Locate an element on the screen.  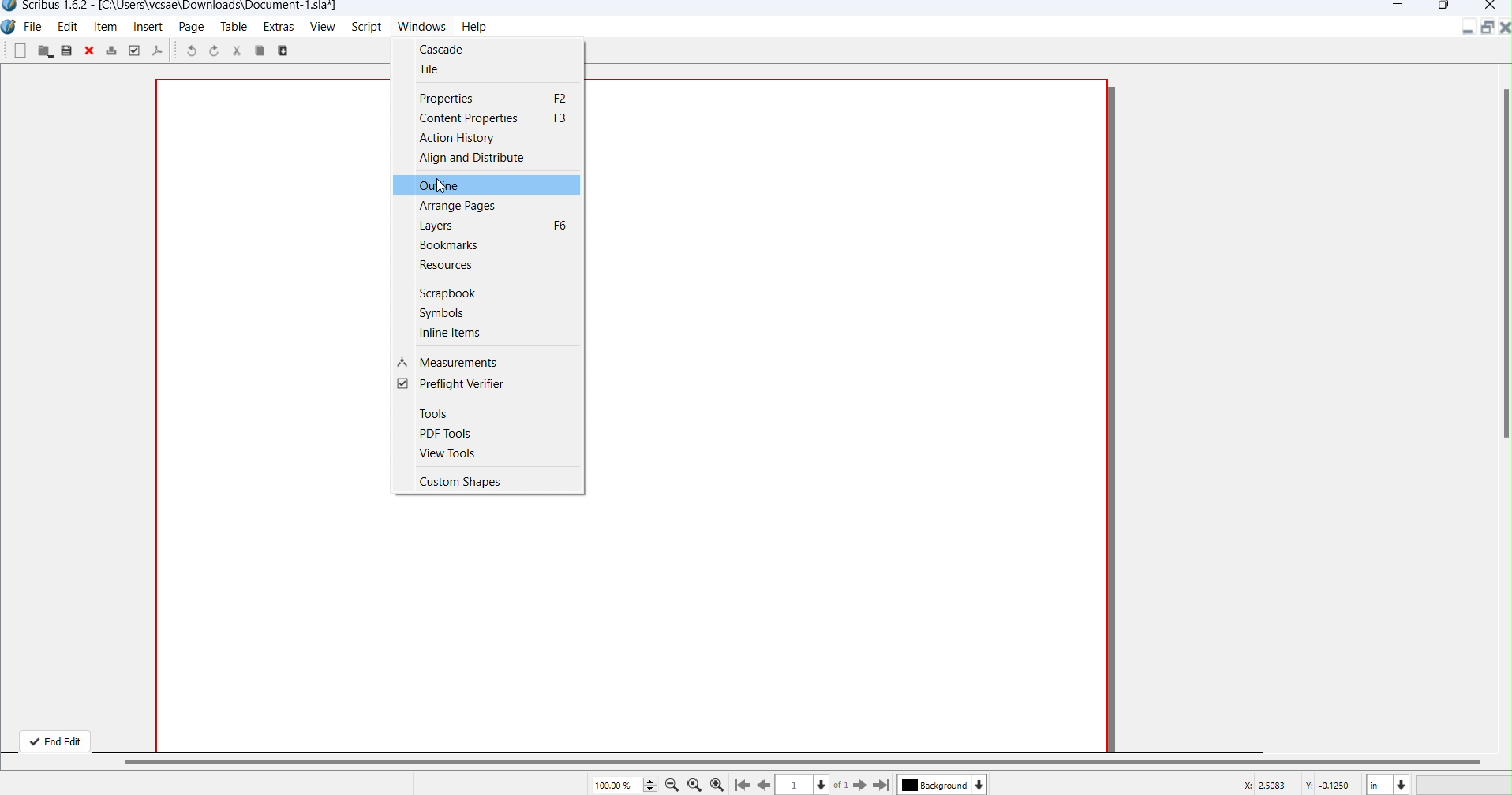
of 1 is located at coordinates (843, 785).